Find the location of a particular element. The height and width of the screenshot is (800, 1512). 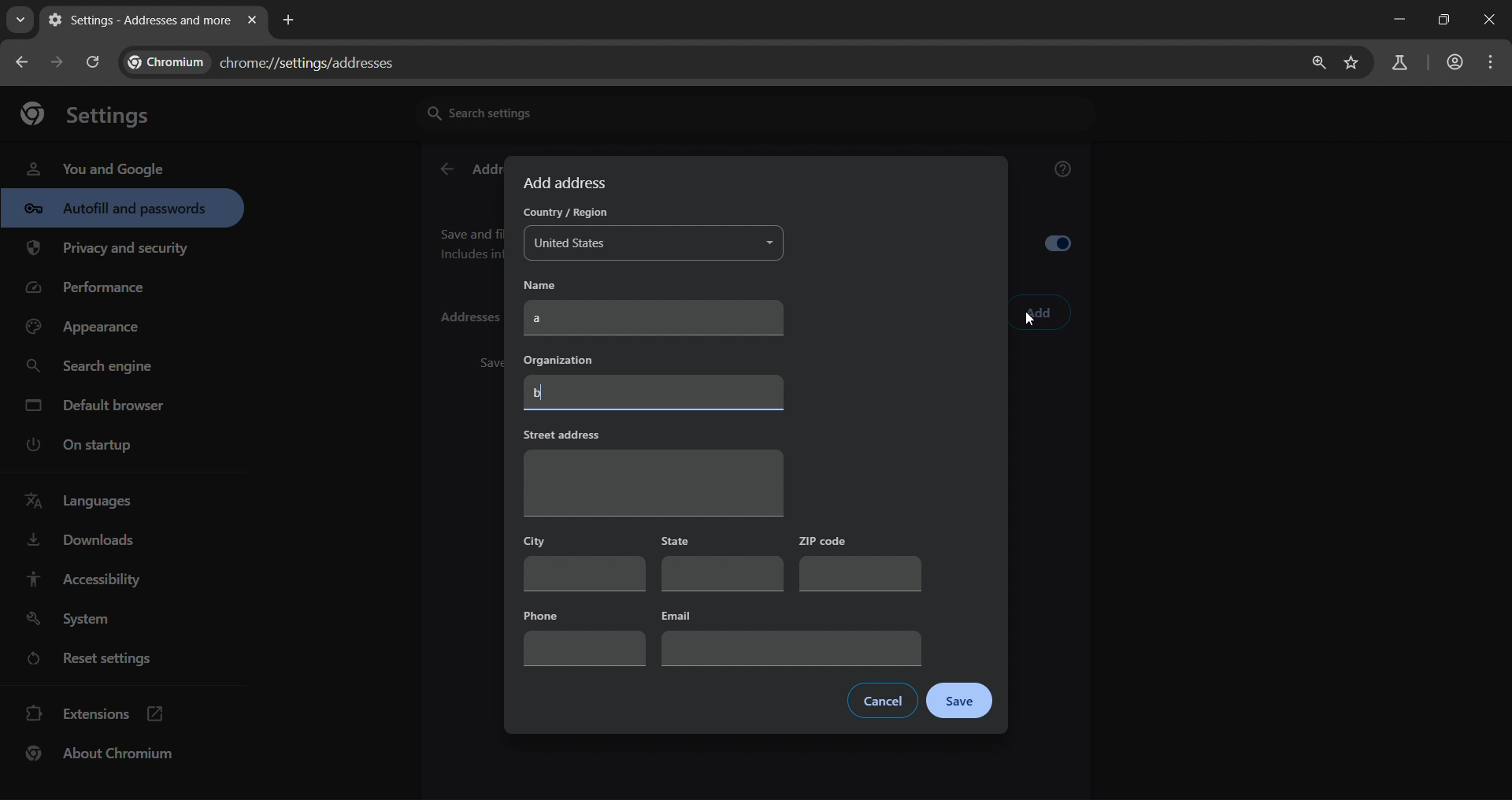

get help is located at coordinates (1064, 172).